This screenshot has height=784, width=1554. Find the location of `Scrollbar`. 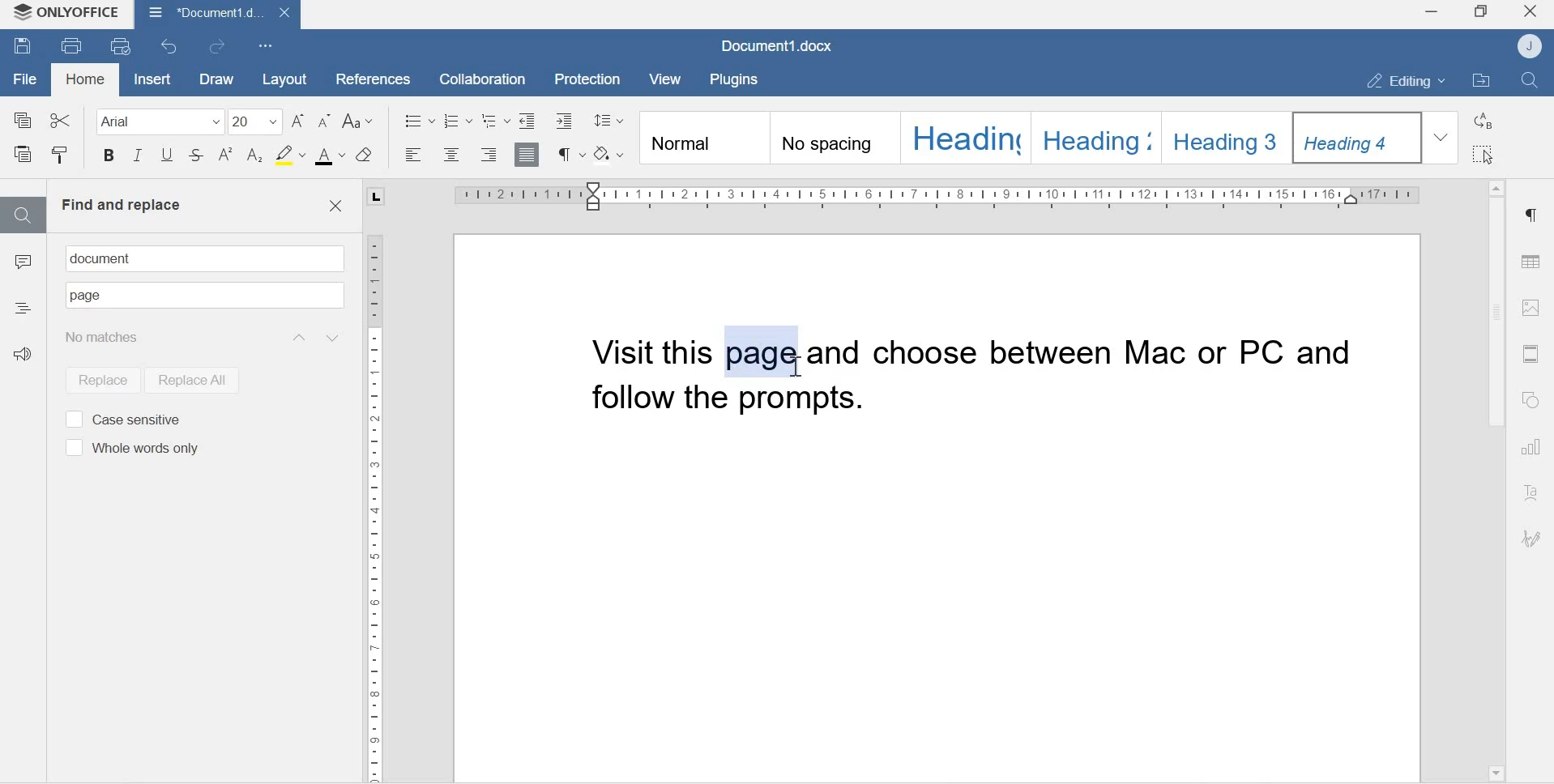

Scrollbar is located at coordinates (1494, 314).